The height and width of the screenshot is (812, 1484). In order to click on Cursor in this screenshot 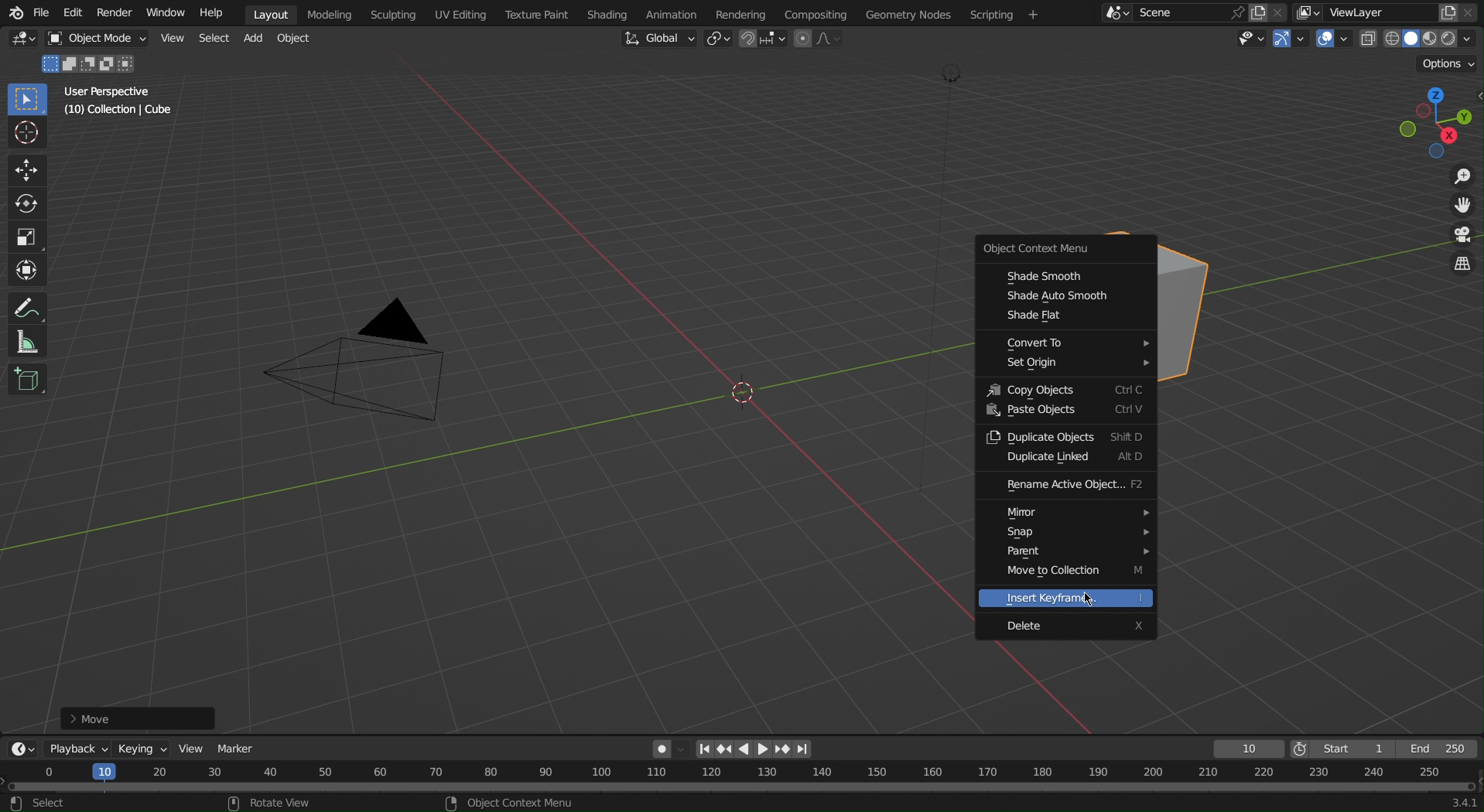, I will do `click(28, 135)`.